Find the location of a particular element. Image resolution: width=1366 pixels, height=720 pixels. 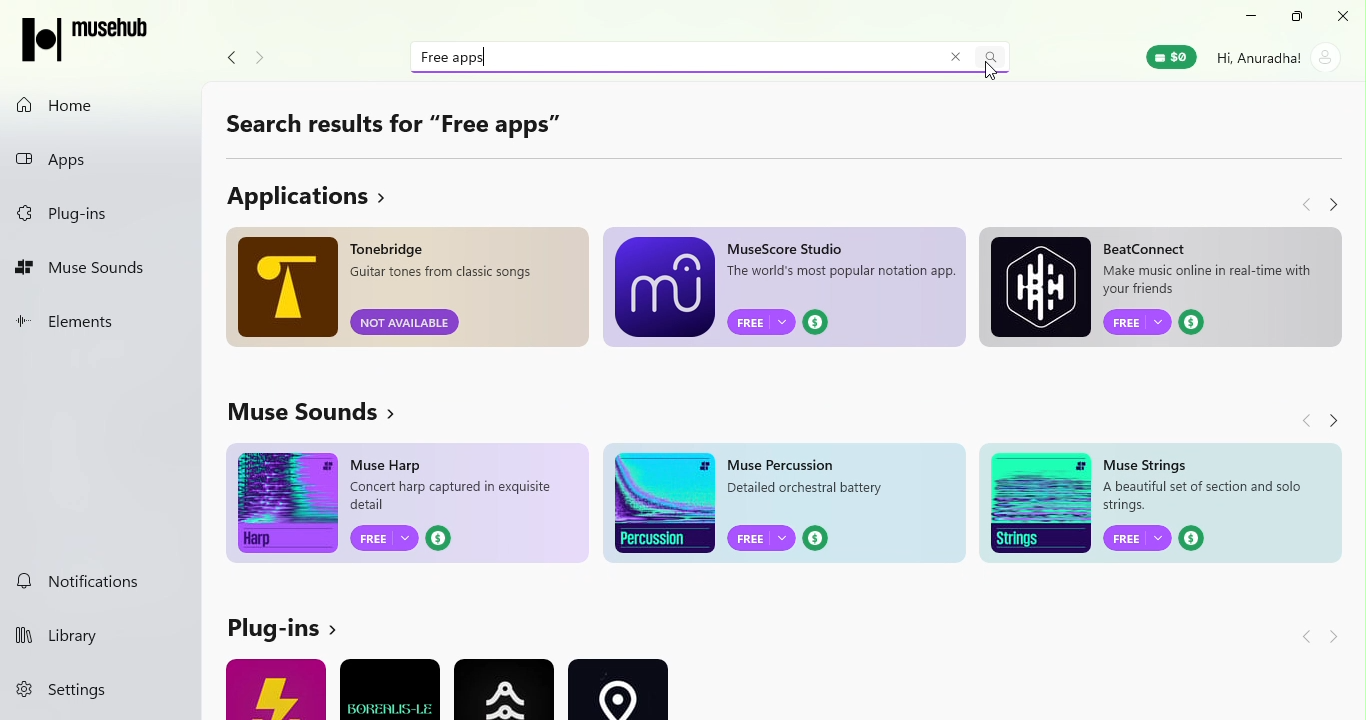

settings is located at coordinates (94, 693).